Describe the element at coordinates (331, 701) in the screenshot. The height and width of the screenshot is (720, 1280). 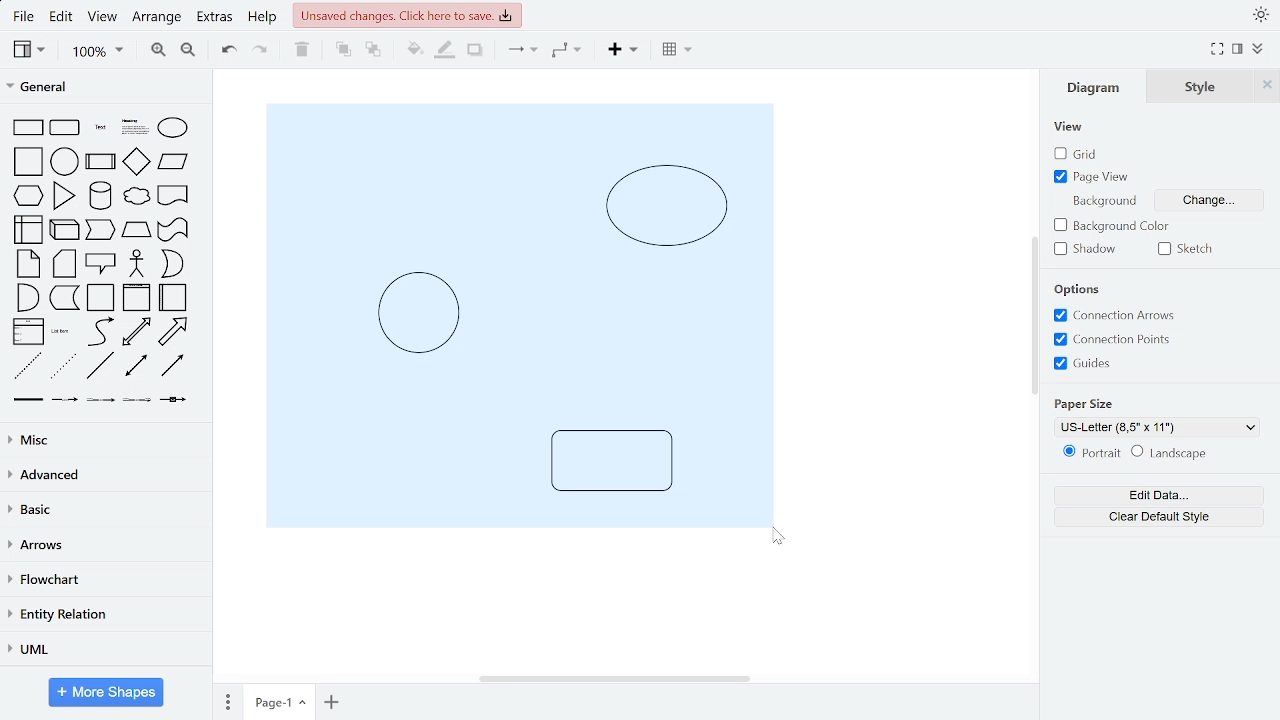
I see `insert page` at that location.